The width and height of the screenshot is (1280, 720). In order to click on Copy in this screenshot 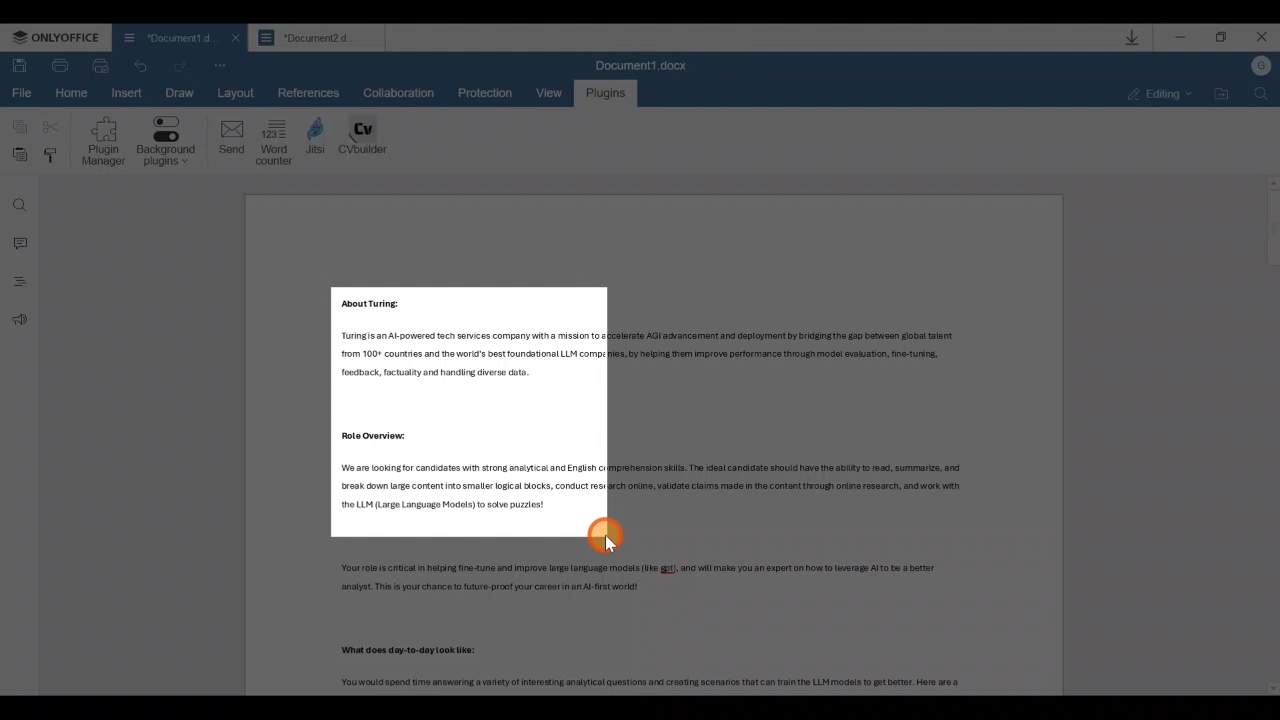, I will do `click(16, 128)`.